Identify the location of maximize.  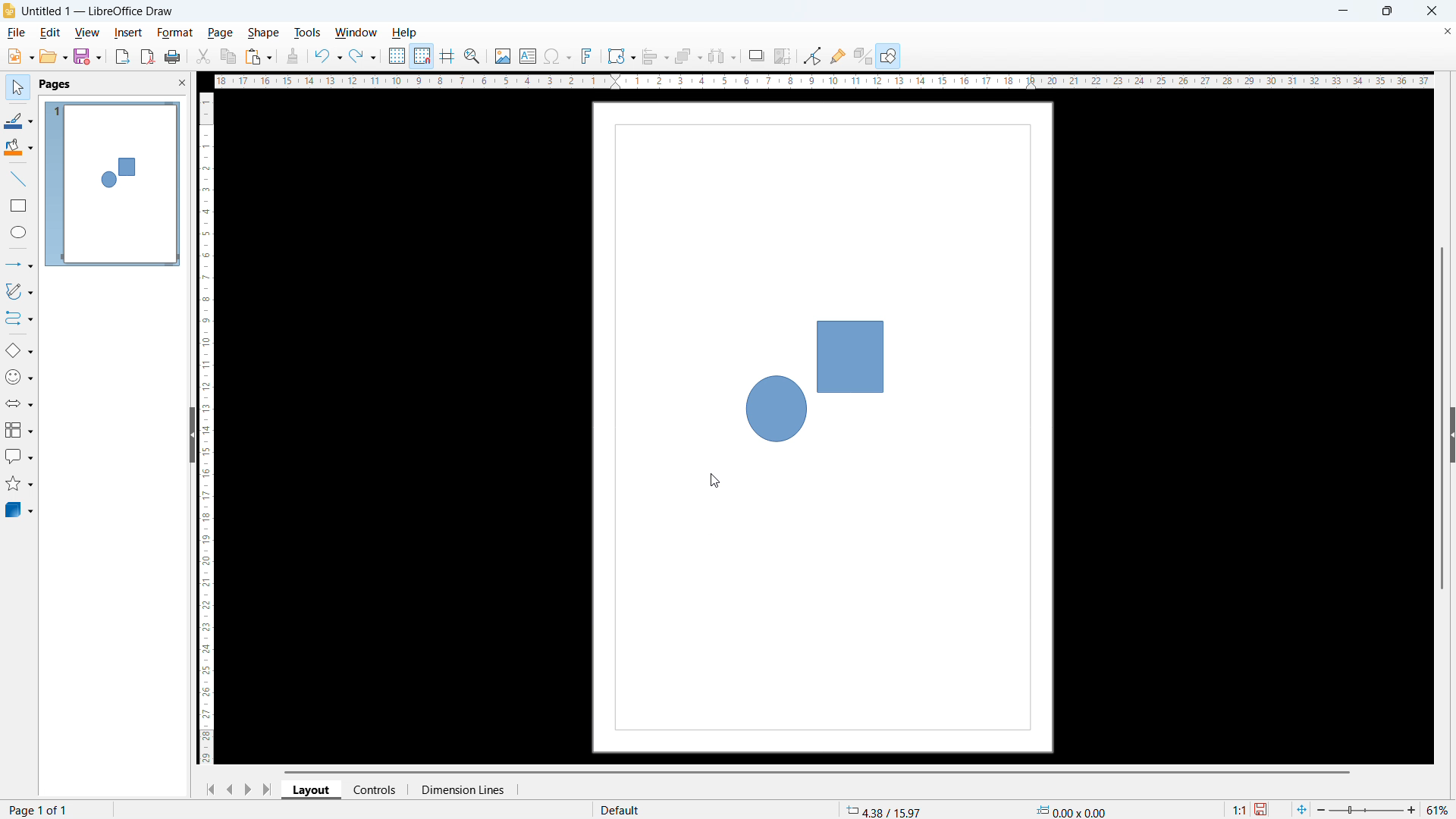
(1389, 11).